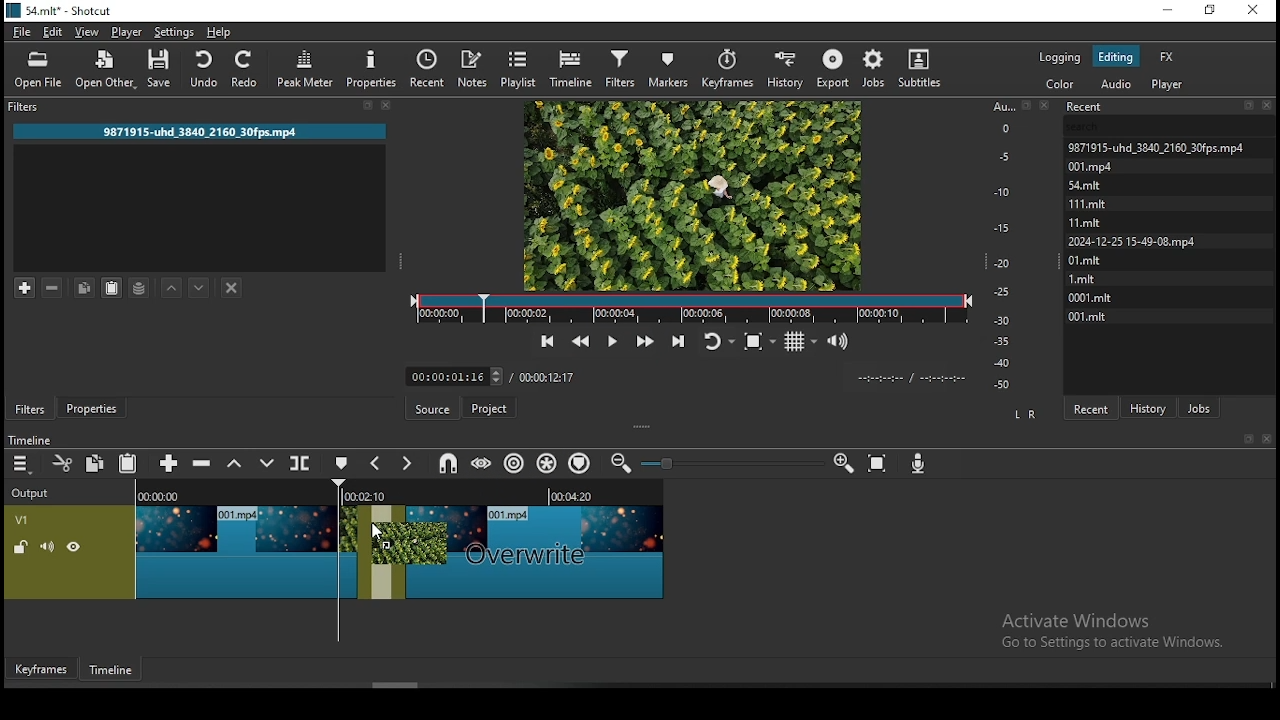 This screenshot has width=1280, height=720. Describe the element at coordinates (339, 464) in the screenshot. I see `create/edit marker` at that location.